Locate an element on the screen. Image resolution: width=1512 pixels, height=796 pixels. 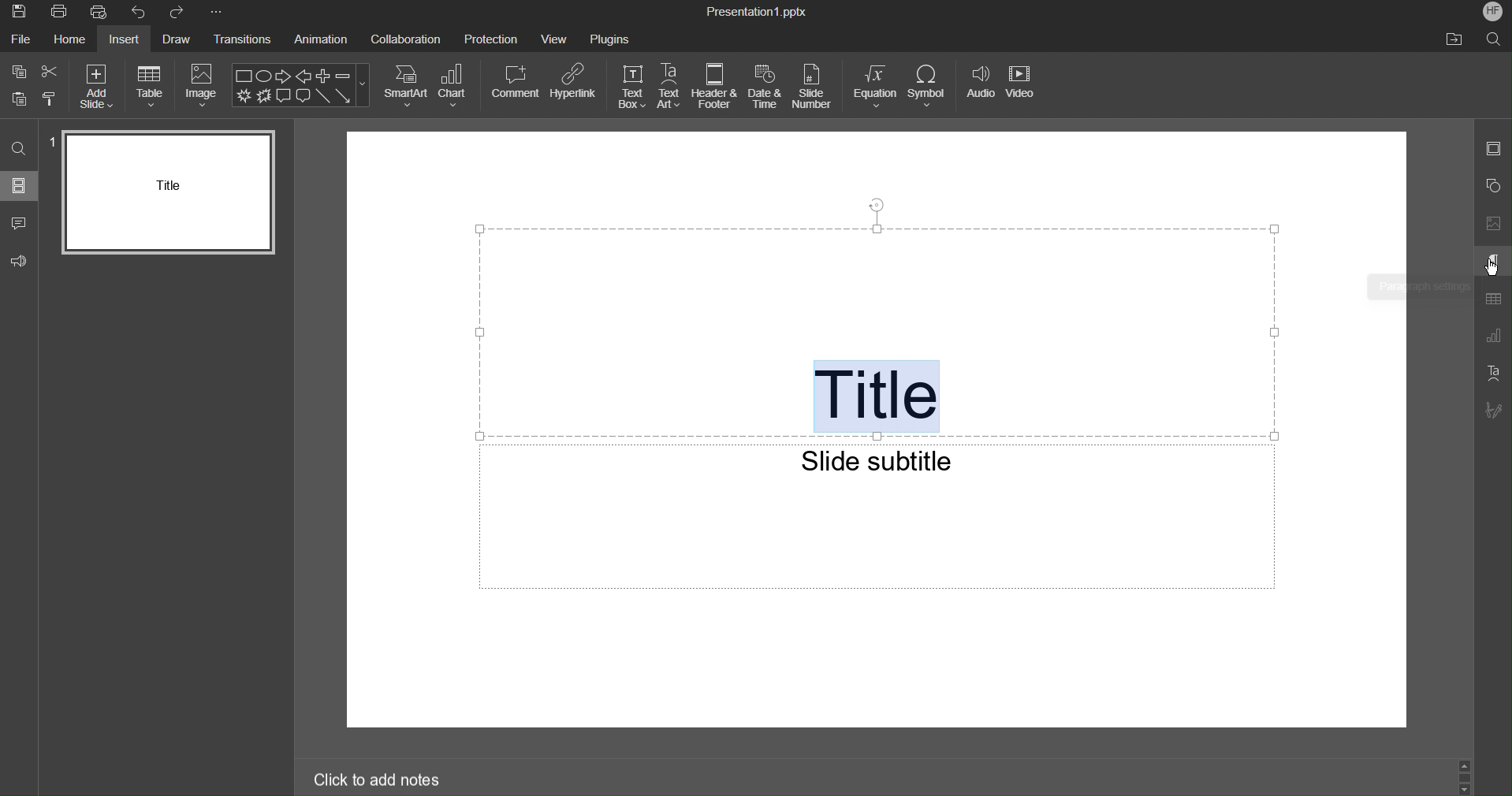
Shape Settings is located at coordinates (1492, 184).